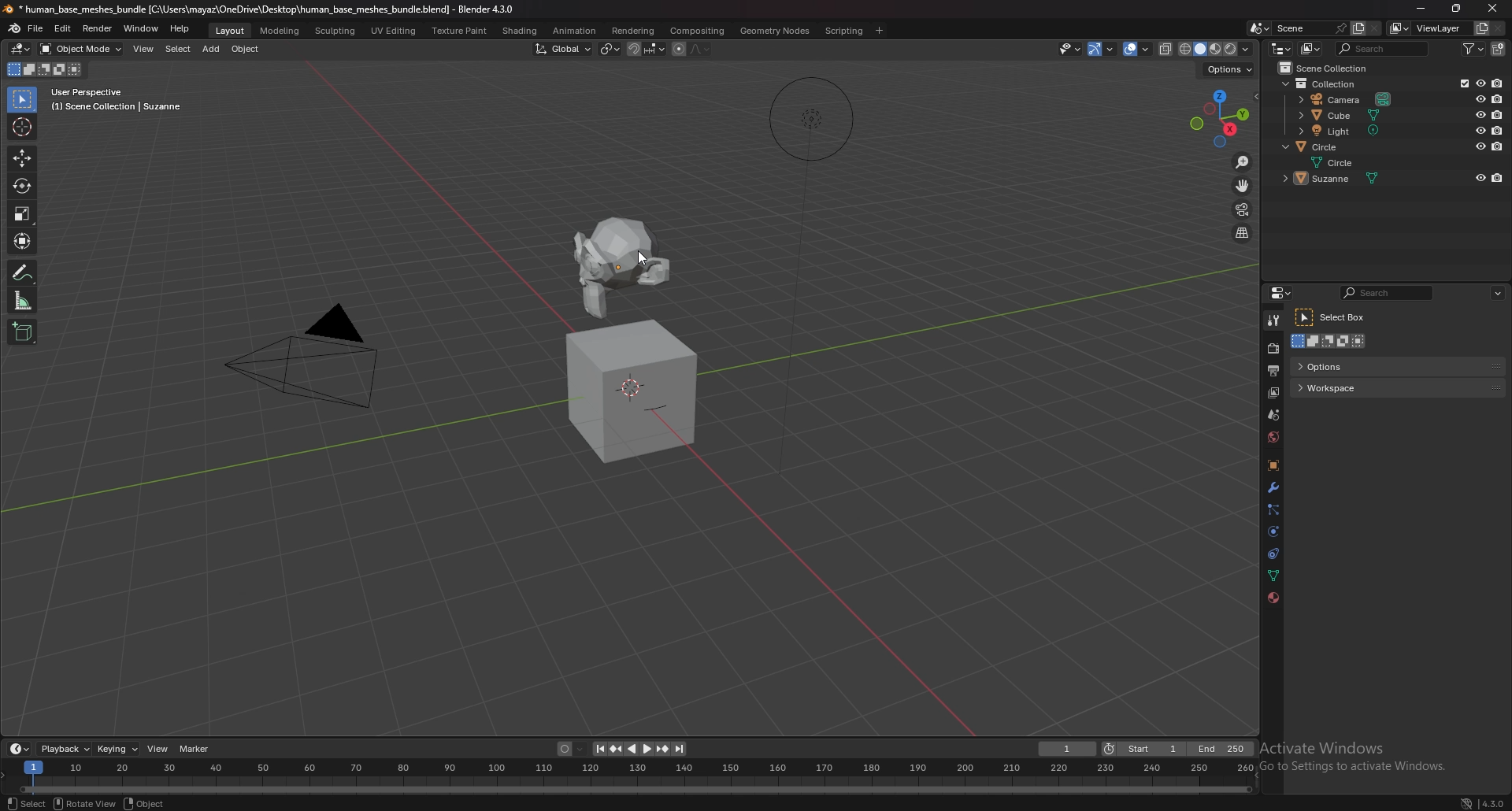 This screenshot has width=1512, height=811. Describe the element at coordinates (1273, 488) in the screenshot. I see `modifier` at that location.